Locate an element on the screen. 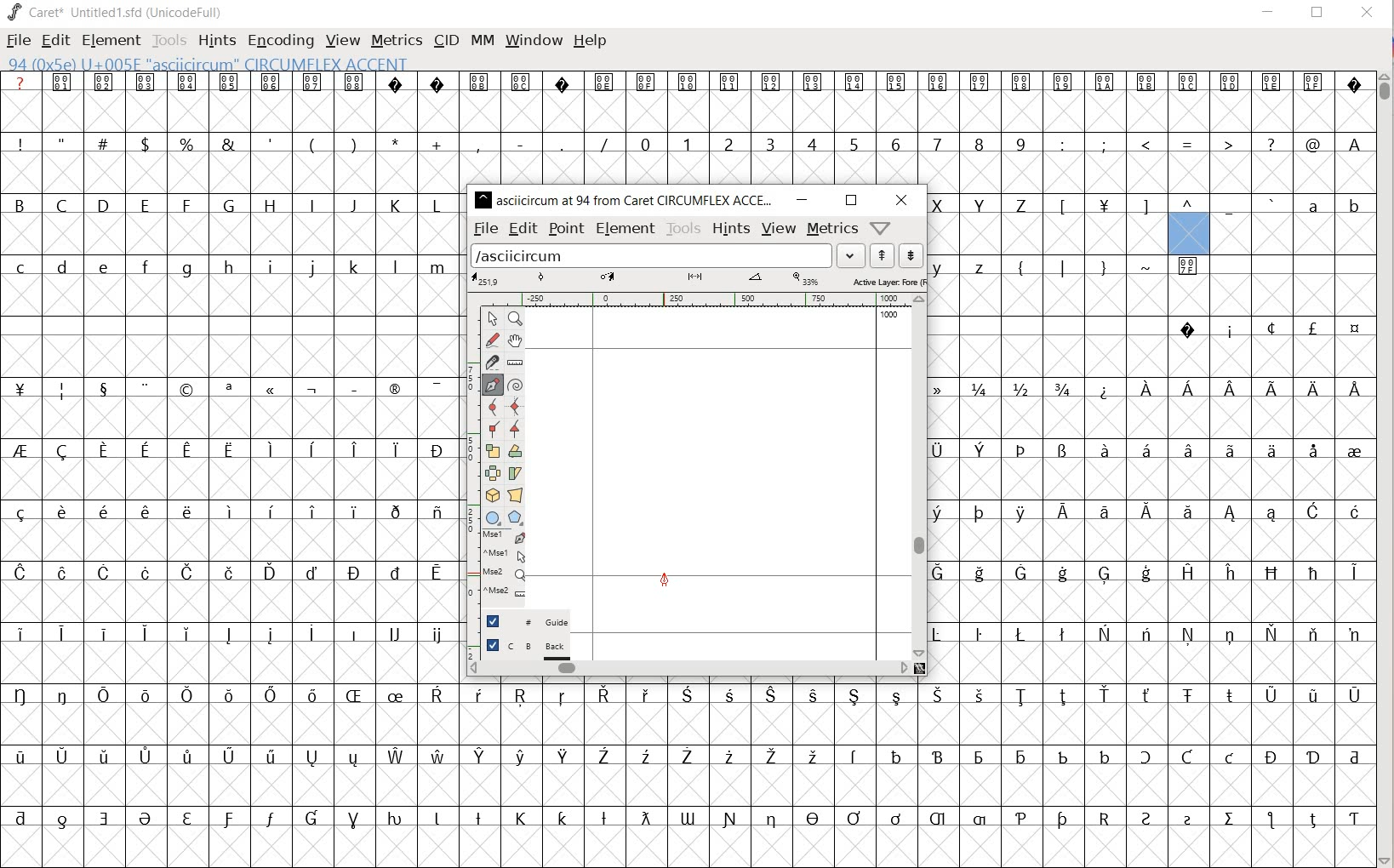 This screenshot has height=868, width=1394. Active Layer is located at coordinates (697, 280).